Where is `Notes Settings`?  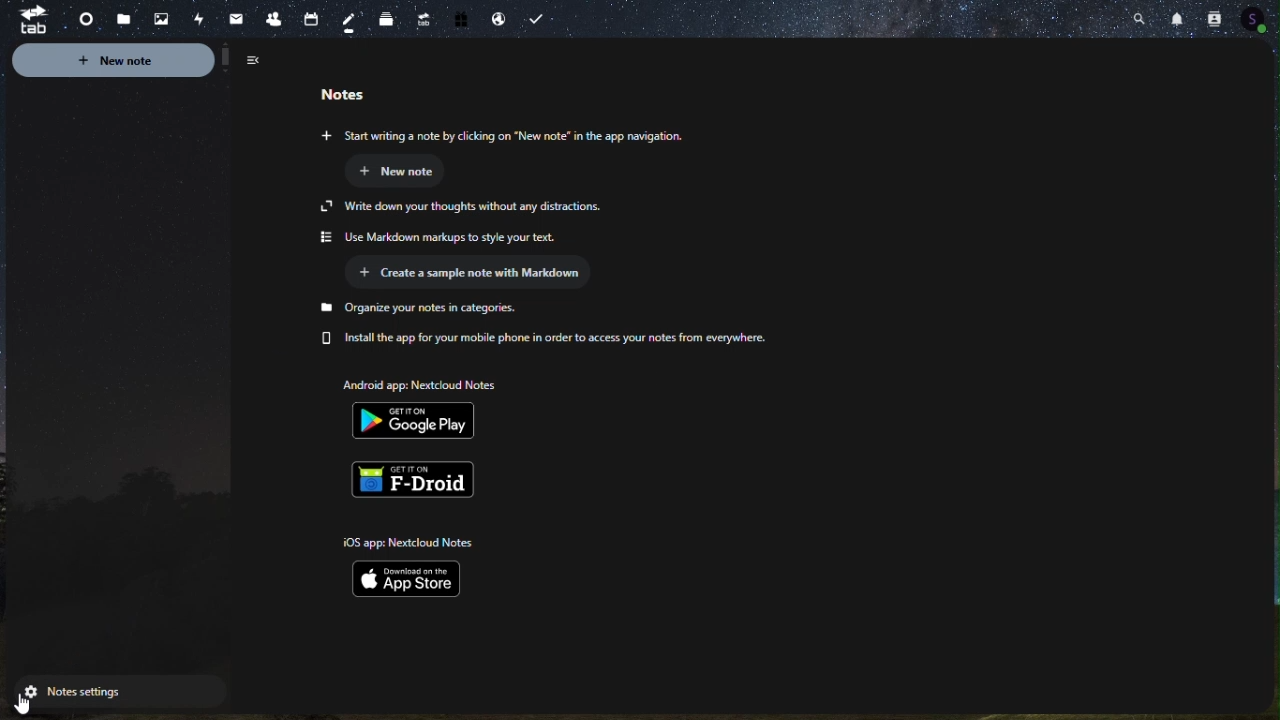 Notes Settings is located at coordinates (107, 692).